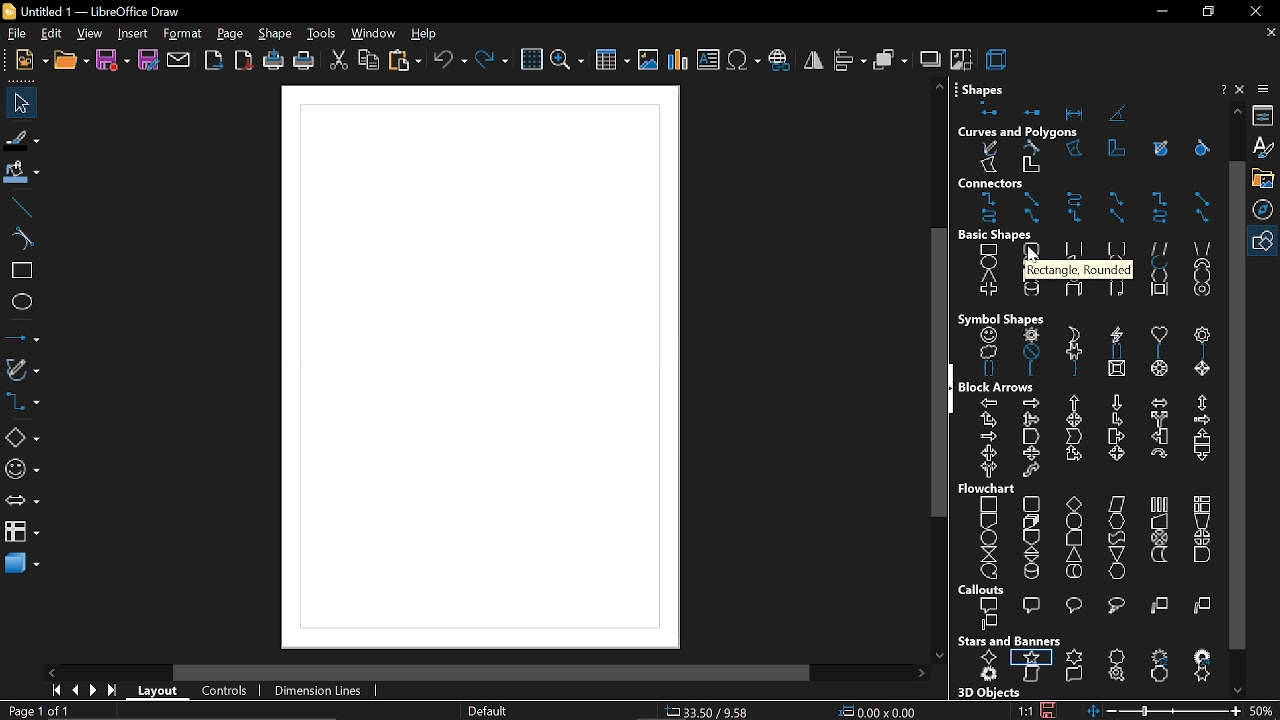  I want to click on vertical scrollbar, so click(1236, 404).